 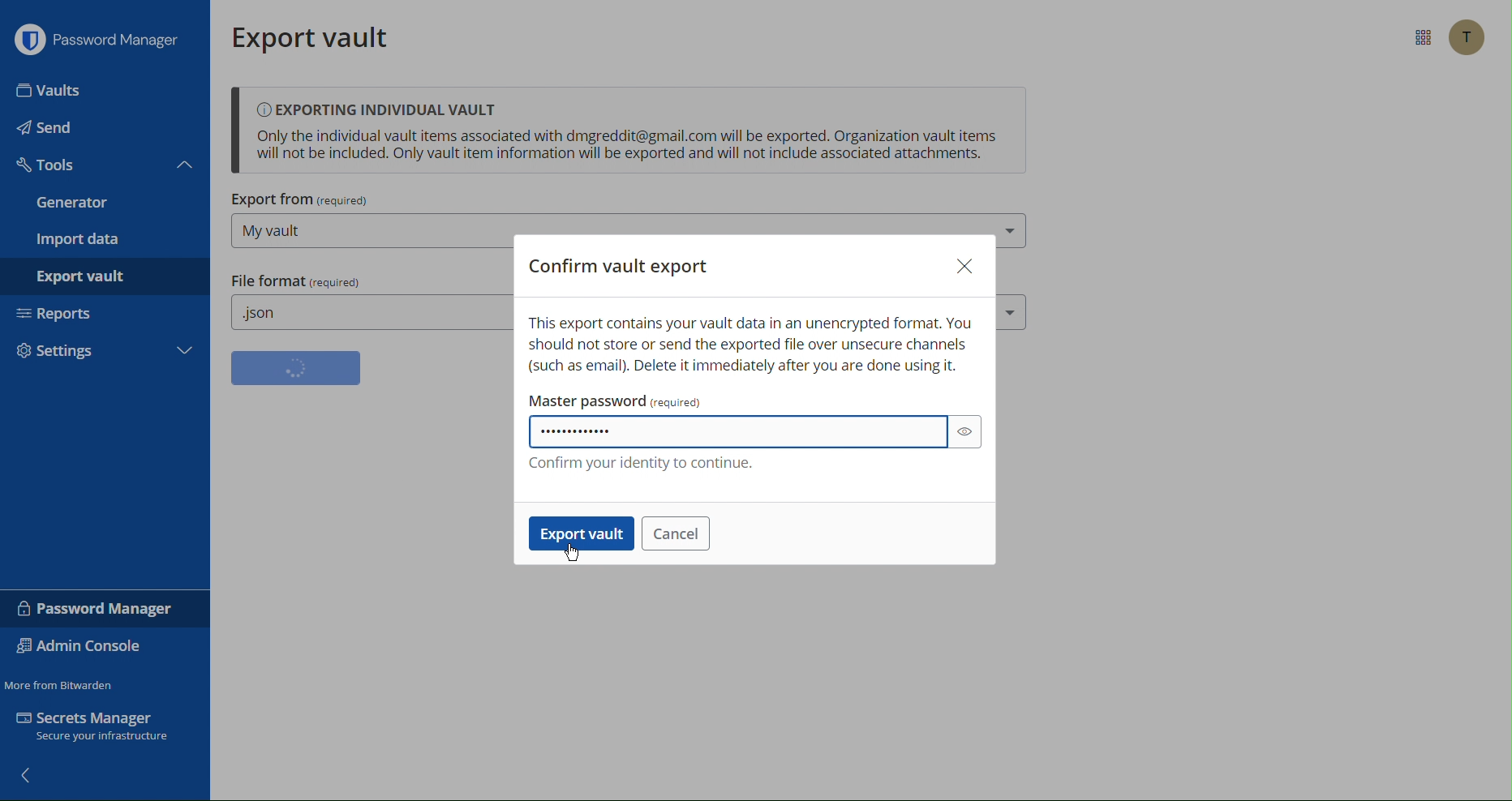 What do you see at coordinates (758, 399) in the screenshot?
I see `Master password` at bounding box center [758, 399].